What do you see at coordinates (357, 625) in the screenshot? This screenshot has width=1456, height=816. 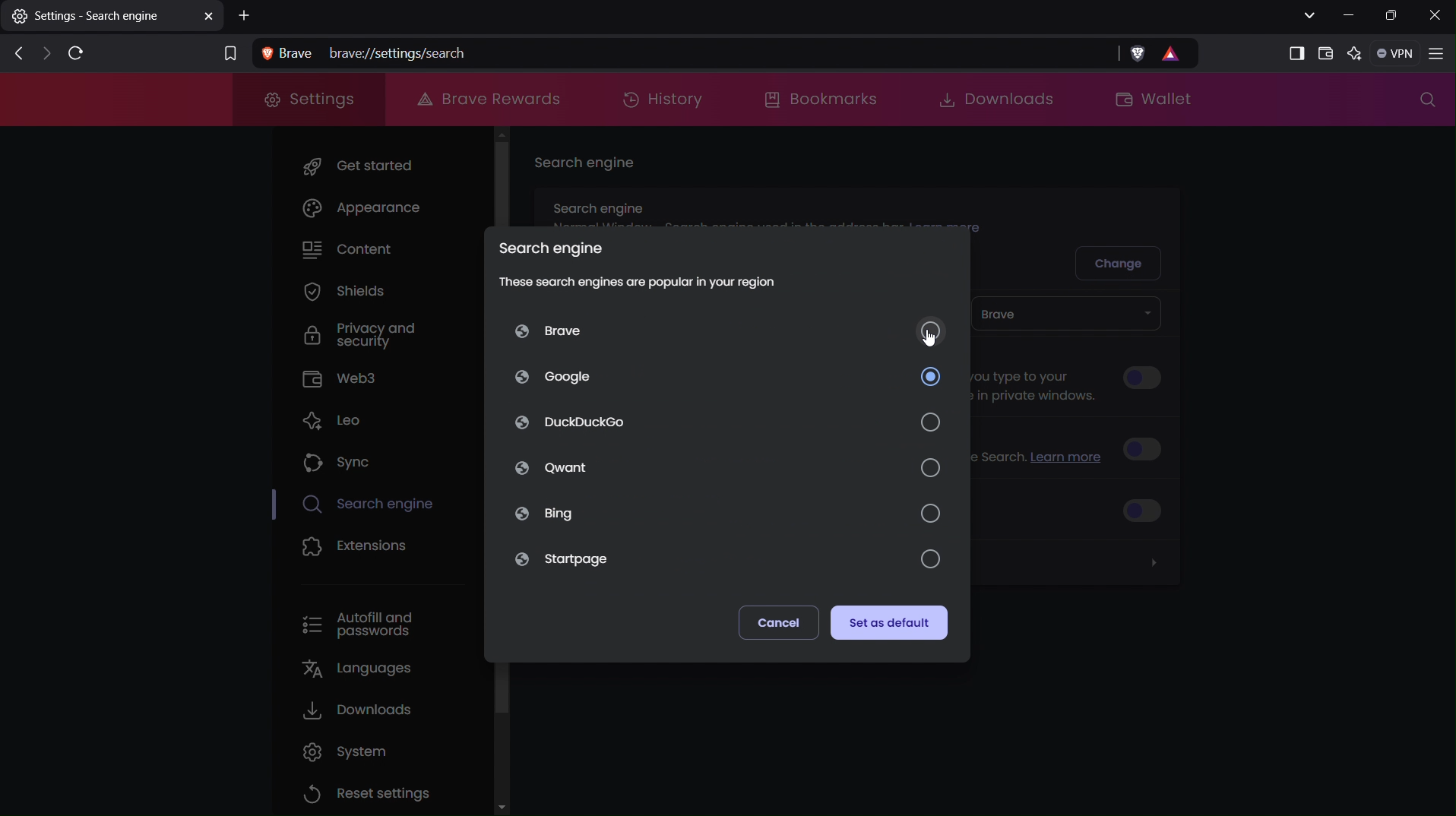 I see `Autofill and passwords` at bounding box center [357, 625].